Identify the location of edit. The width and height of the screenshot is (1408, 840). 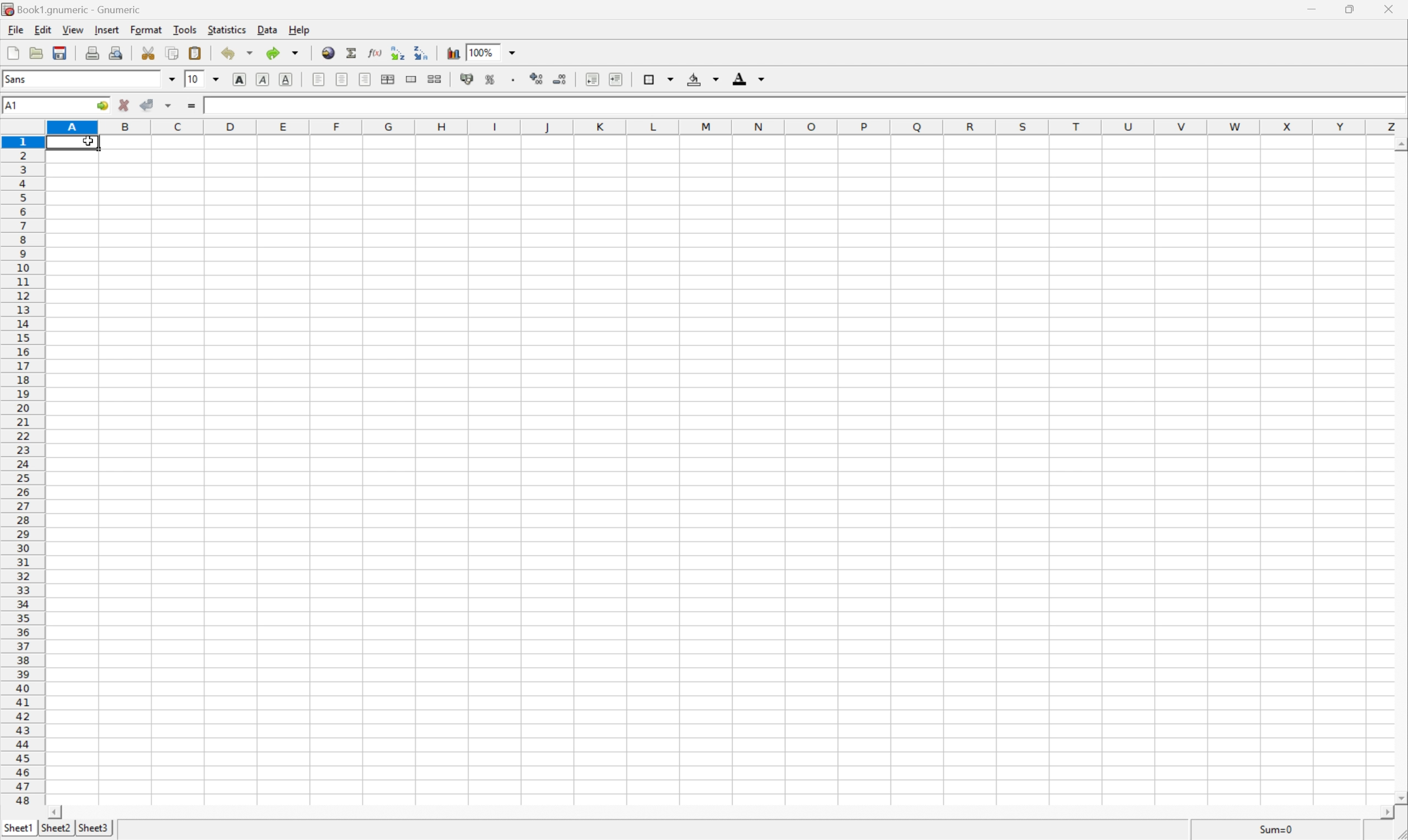
(41, 29).